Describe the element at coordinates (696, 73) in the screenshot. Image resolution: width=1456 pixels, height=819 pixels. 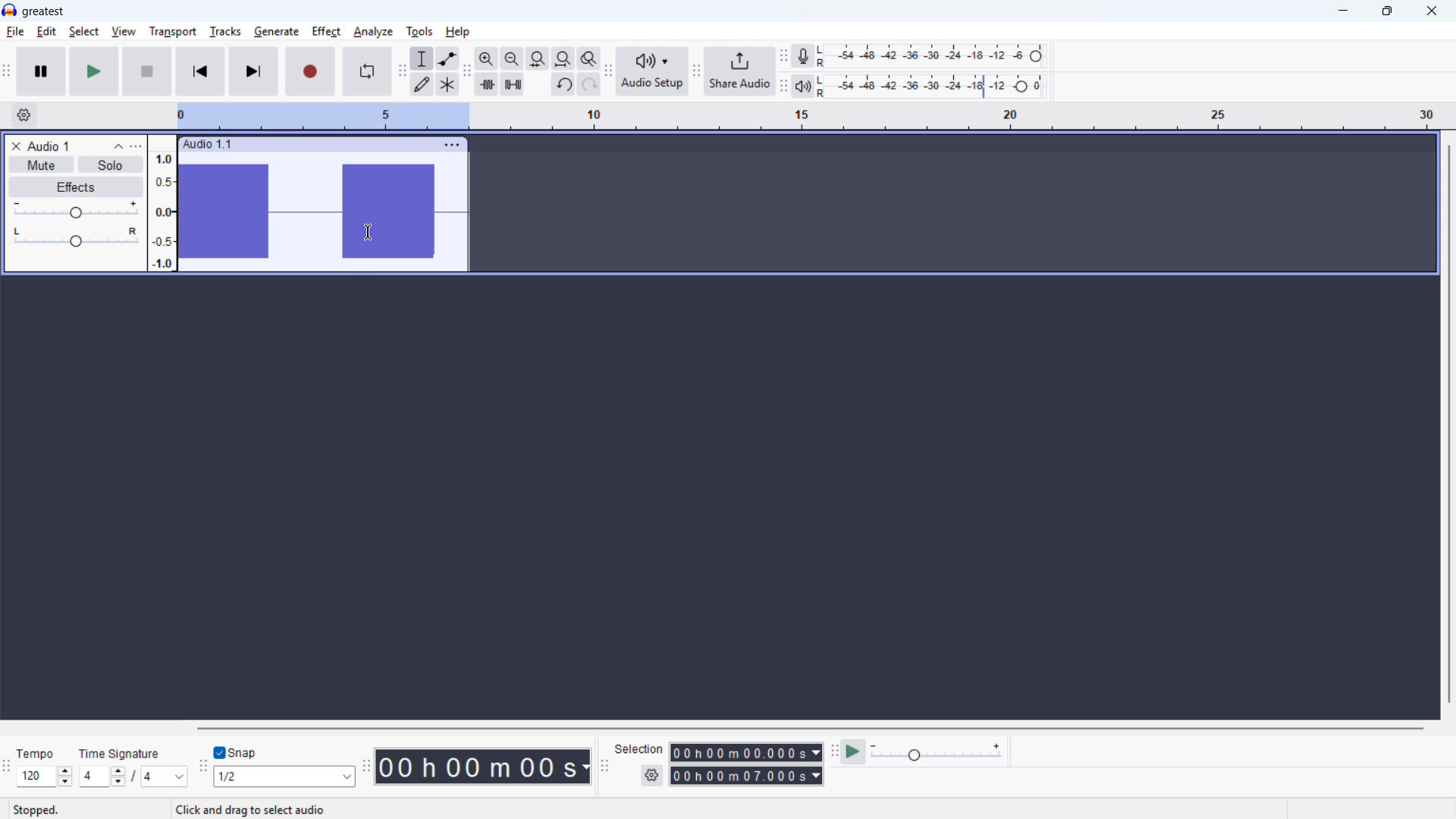
I see `` at that location.